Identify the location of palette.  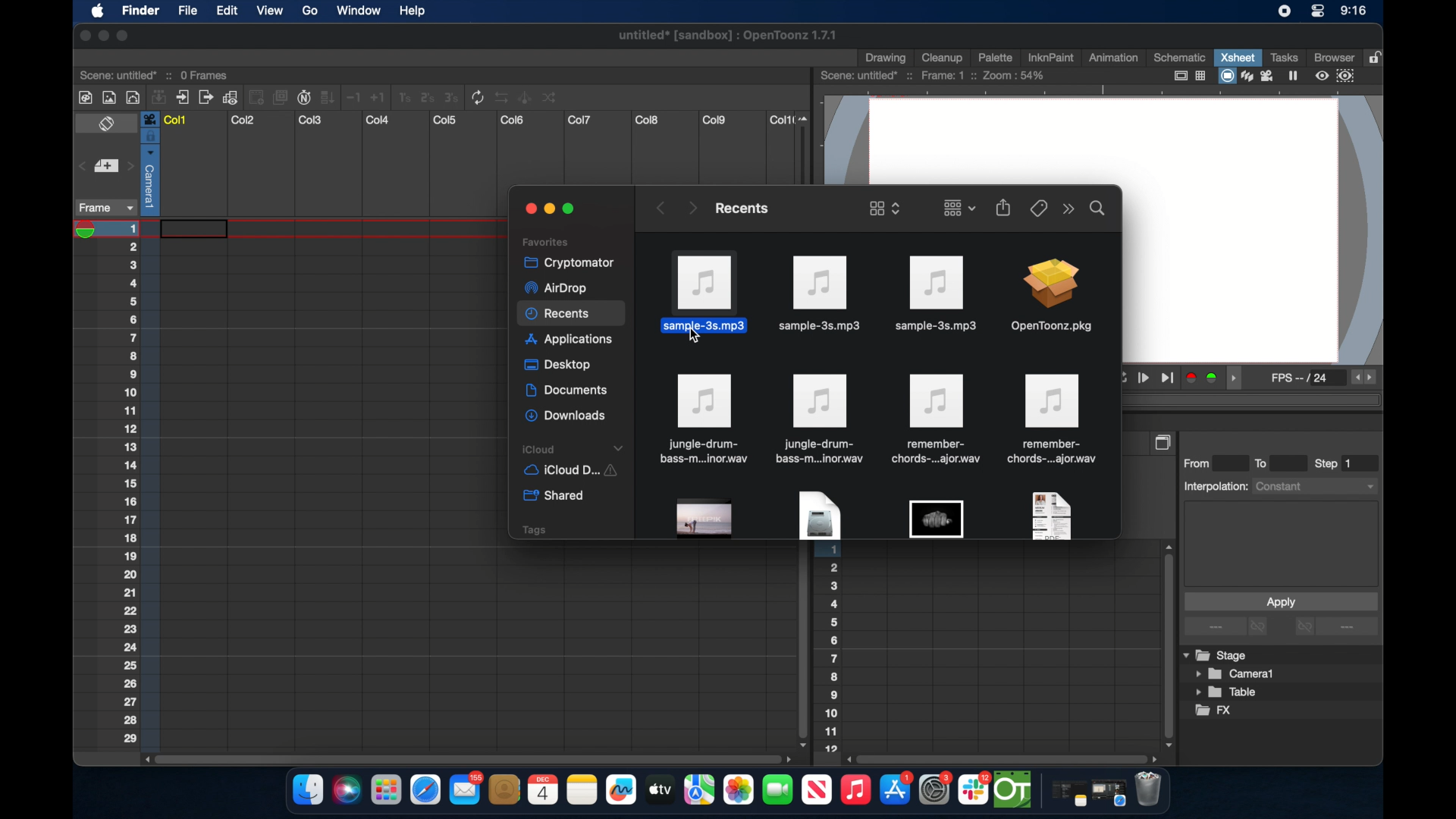
(996, 57).